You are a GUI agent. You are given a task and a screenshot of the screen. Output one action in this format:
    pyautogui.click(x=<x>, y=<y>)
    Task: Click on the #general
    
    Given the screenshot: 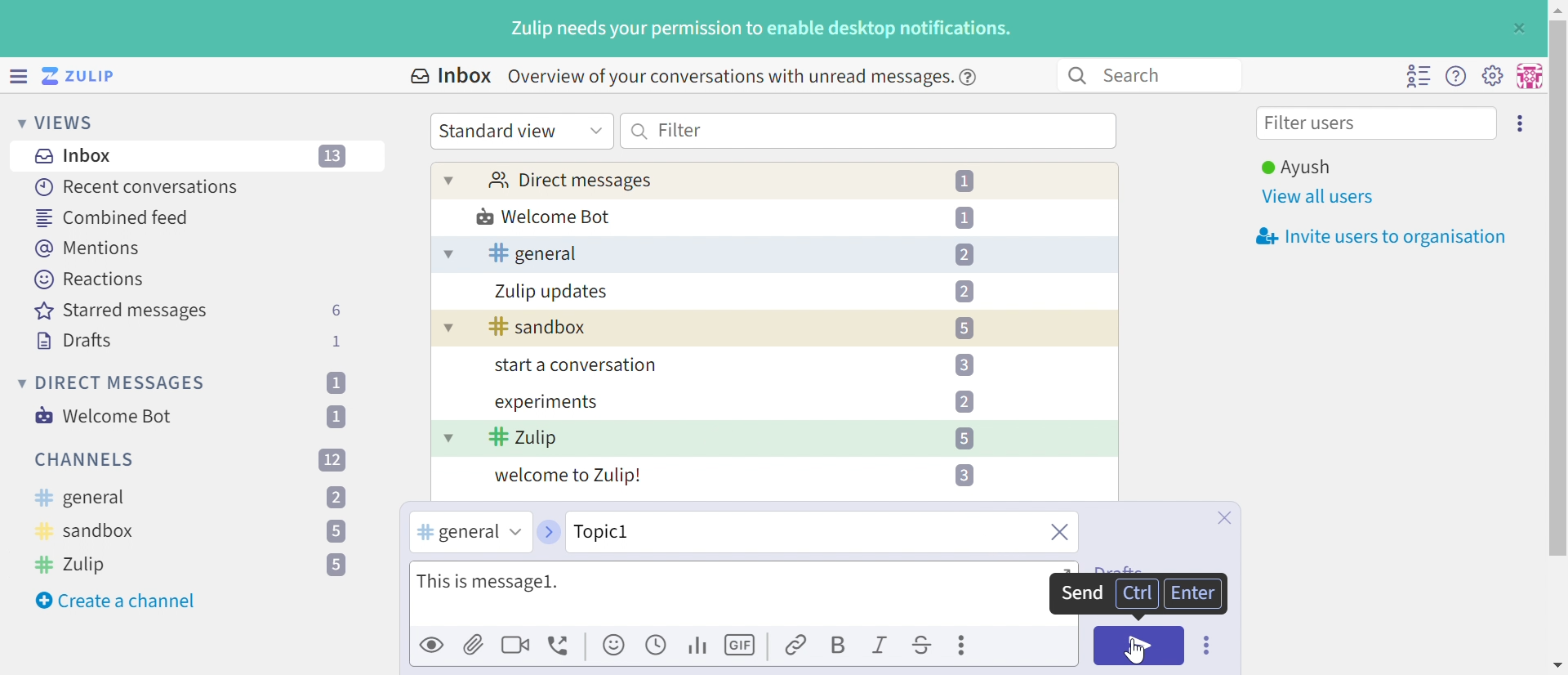 What is the action you would take?
    pyautogui.click(x=455, y=533)
    